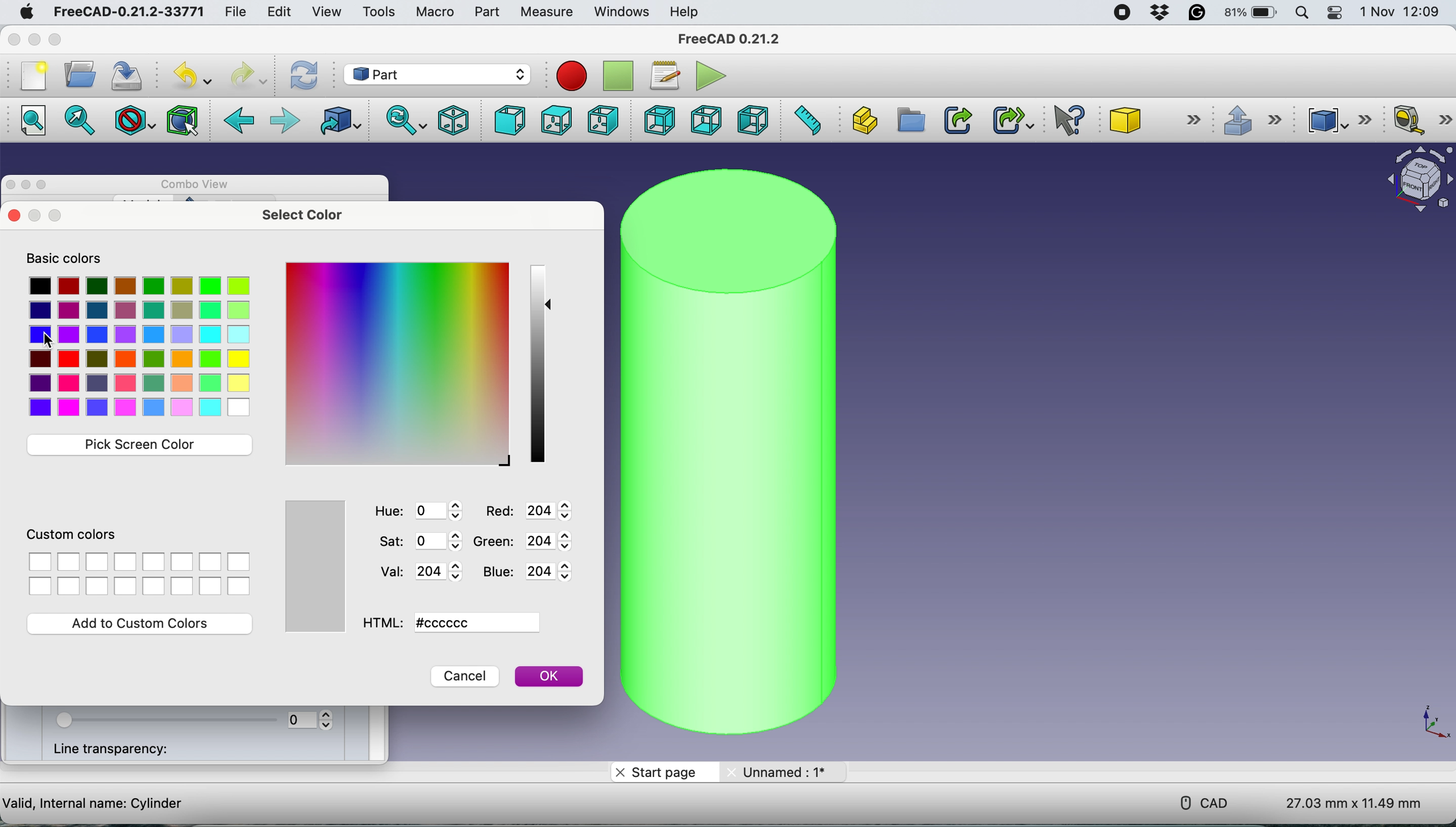 Image resolution: width=1456 pixels, height=827 pixels. Describe the element at coordinates (455, 623) in the screenshot. I see `html` at that location.